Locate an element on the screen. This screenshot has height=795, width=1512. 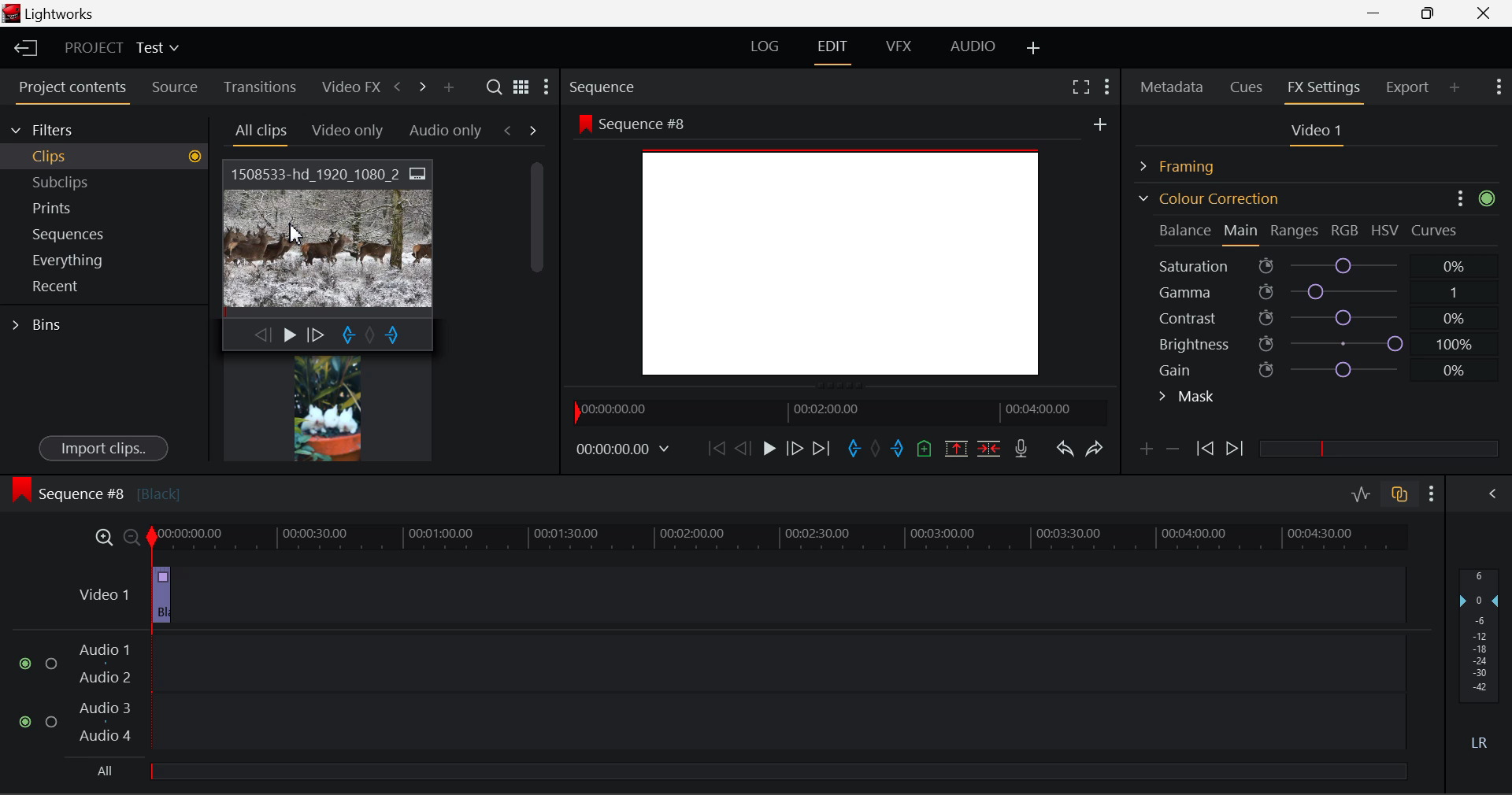
Close is located at coordinates (1487, 13).